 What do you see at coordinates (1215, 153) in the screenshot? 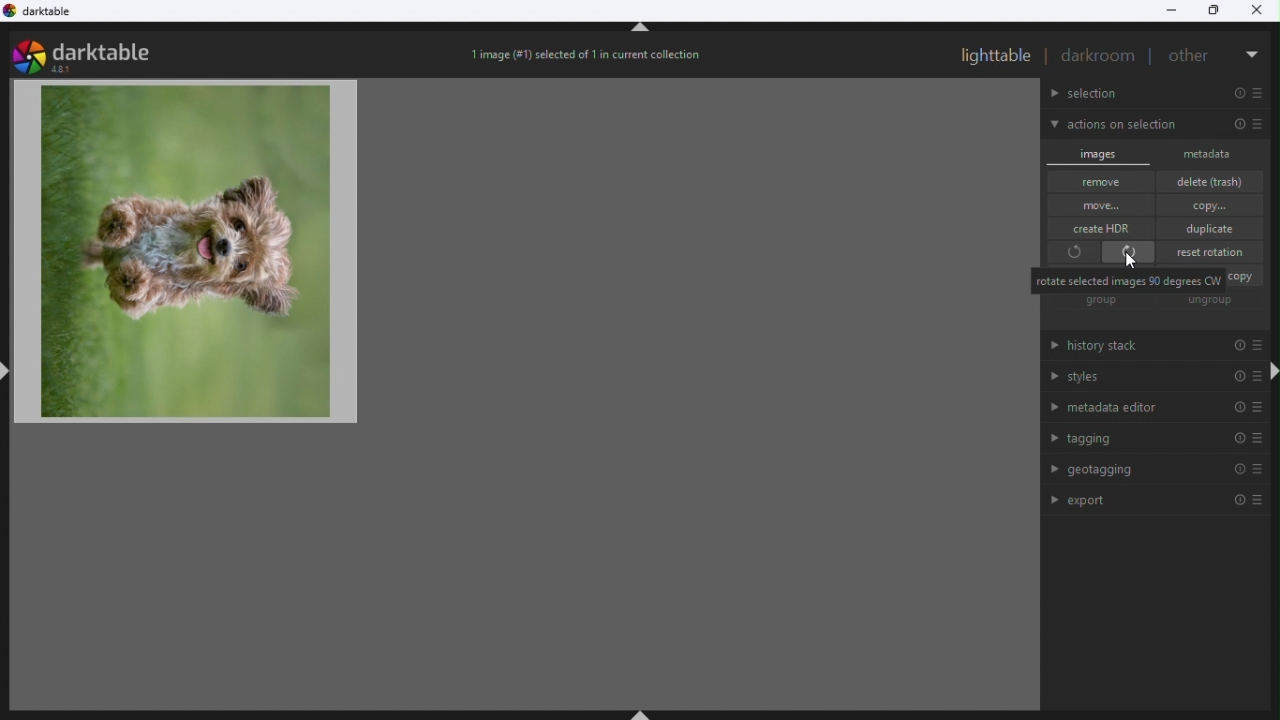
I see `meta data` at bounding box center [1215, 153].